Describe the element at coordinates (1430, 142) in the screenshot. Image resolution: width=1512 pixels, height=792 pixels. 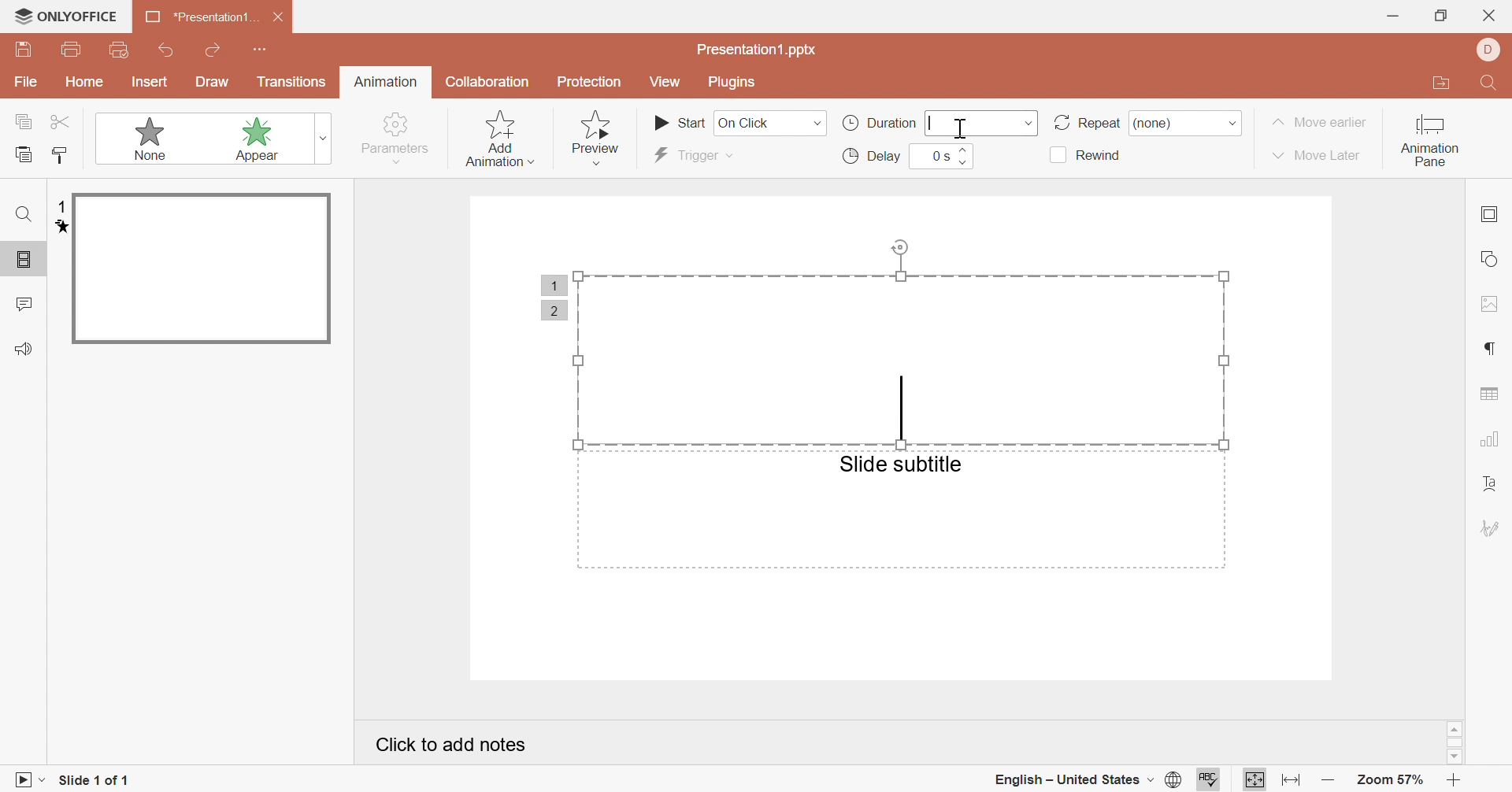
I see `animation pane` at that location.